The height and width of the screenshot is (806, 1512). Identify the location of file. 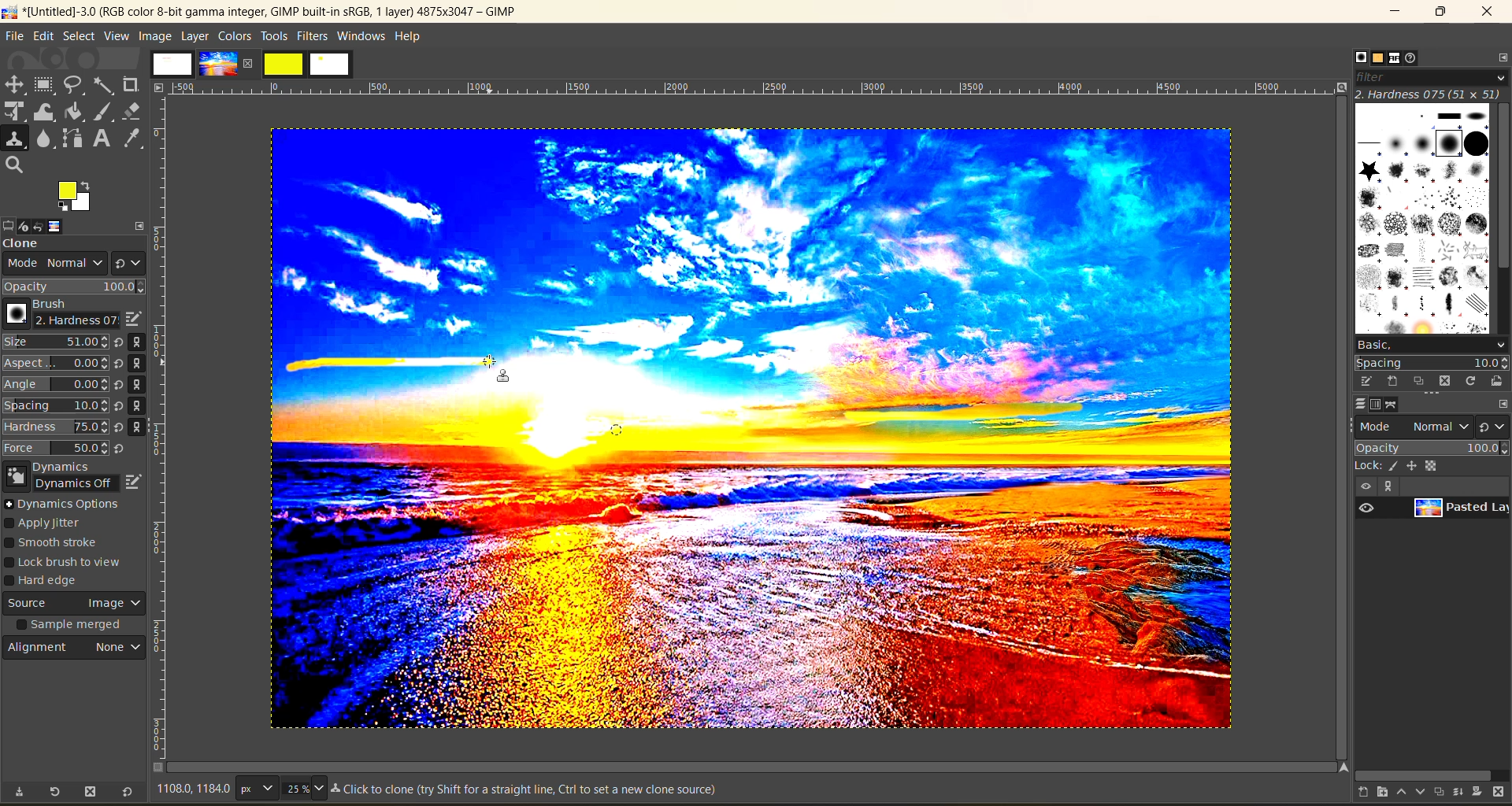
(15, 35).